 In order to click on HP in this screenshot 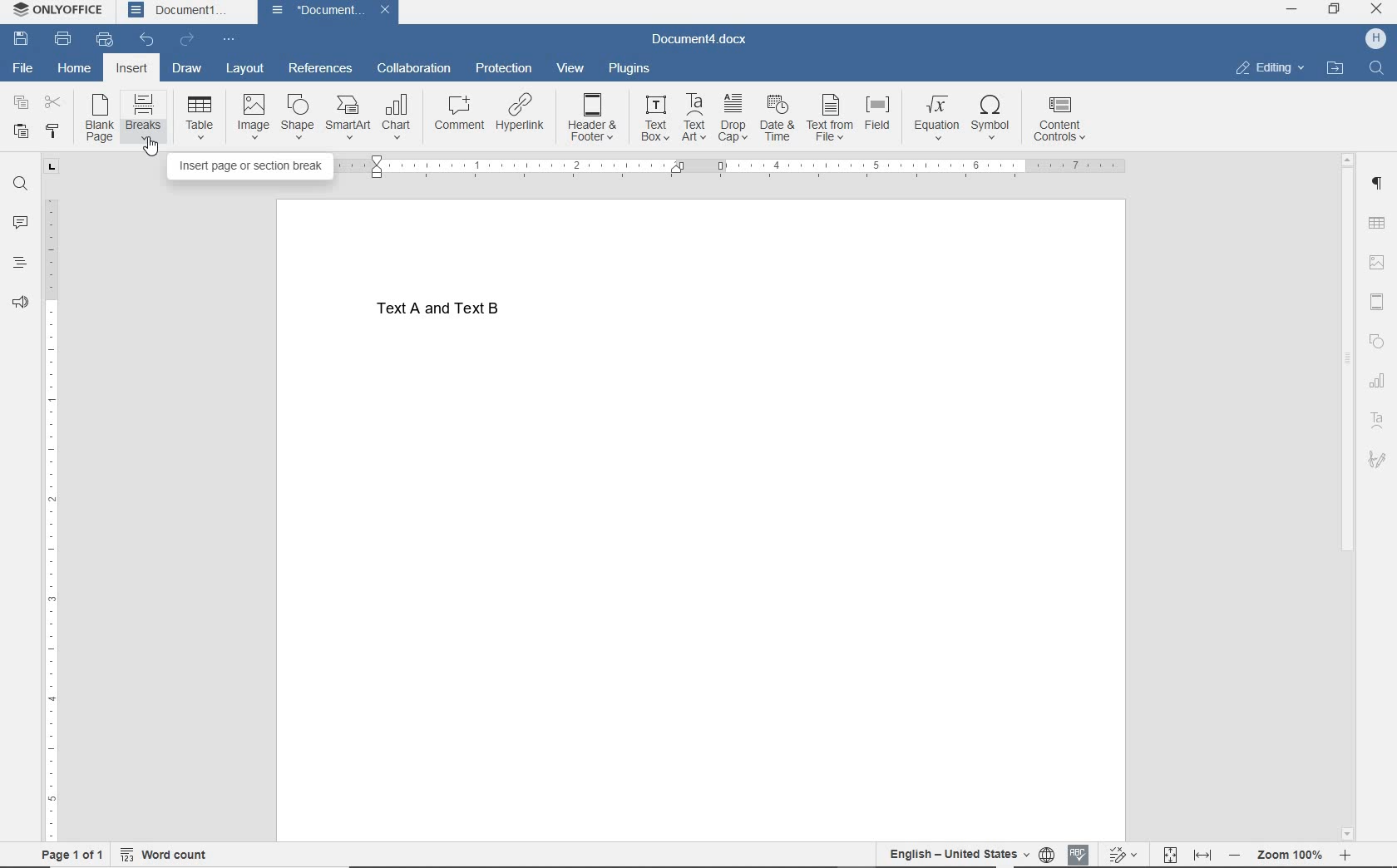, I will do `click(1375, 40)`.